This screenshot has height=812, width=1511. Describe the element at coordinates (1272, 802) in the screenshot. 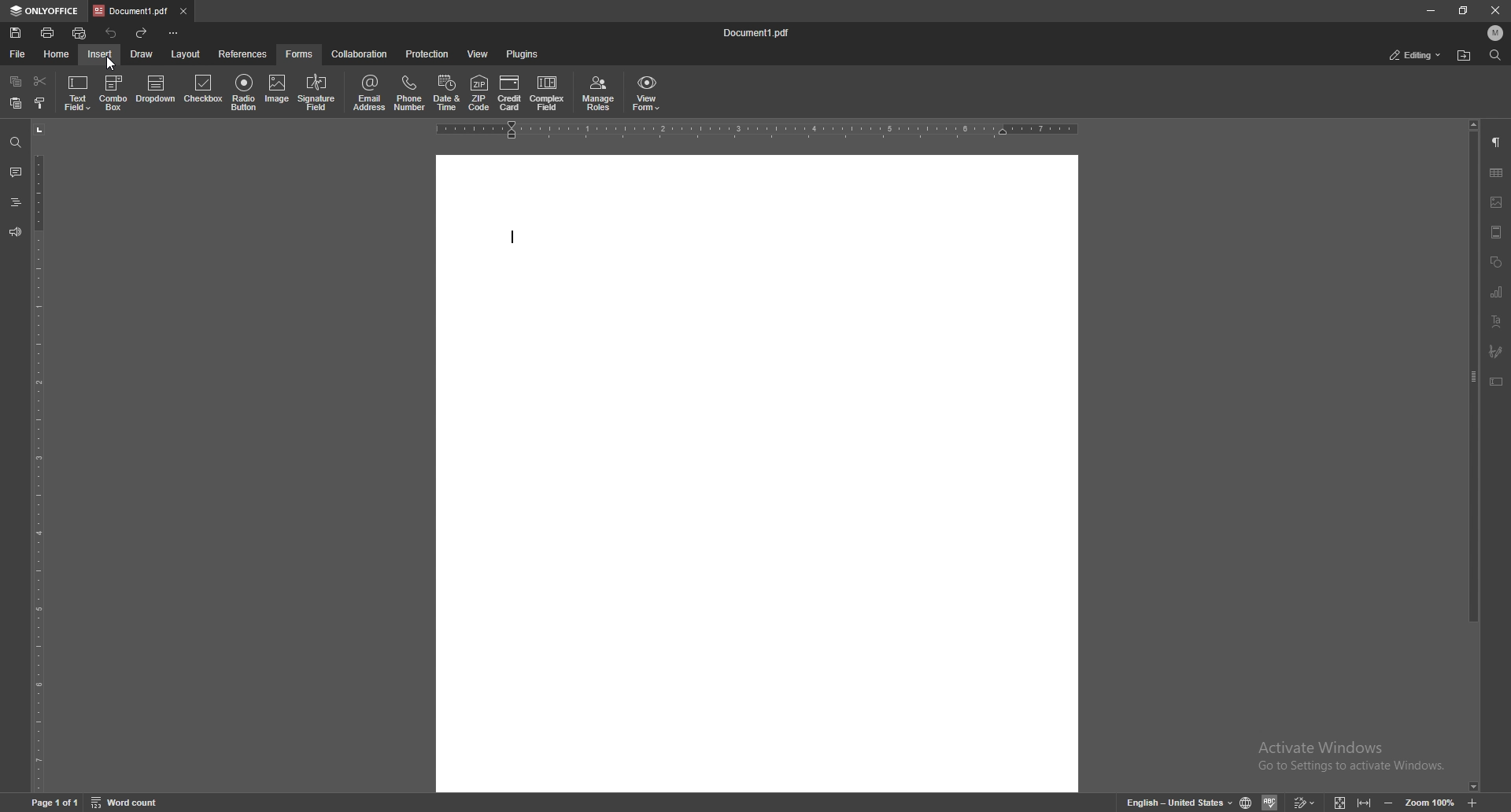

I see `spell check` at that location.